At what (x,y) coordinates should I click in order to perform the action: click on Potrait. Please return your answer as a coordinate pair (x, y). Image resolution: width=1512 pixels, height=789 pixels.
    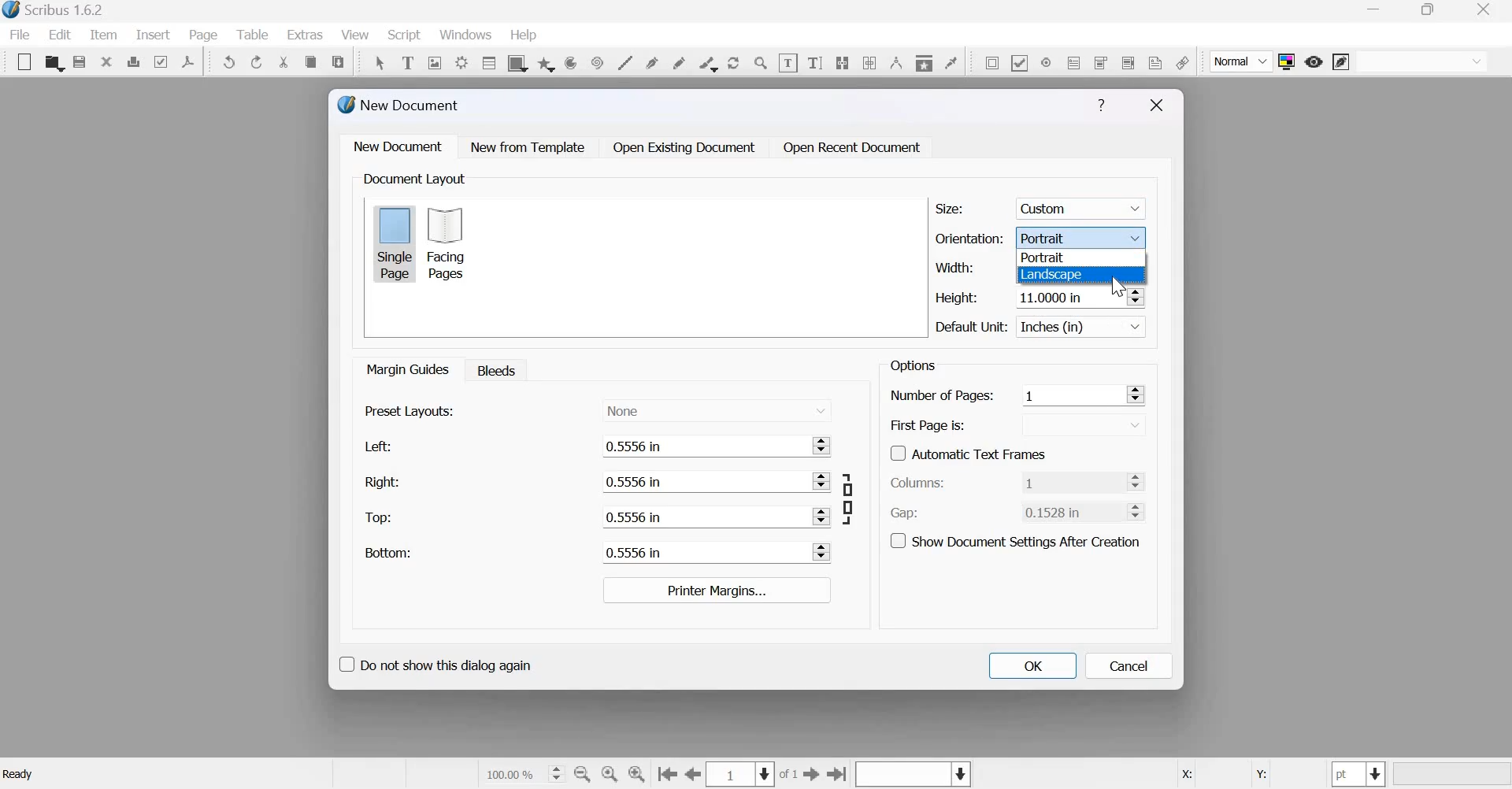
    Looking at the image, I should click on (1084, 236).